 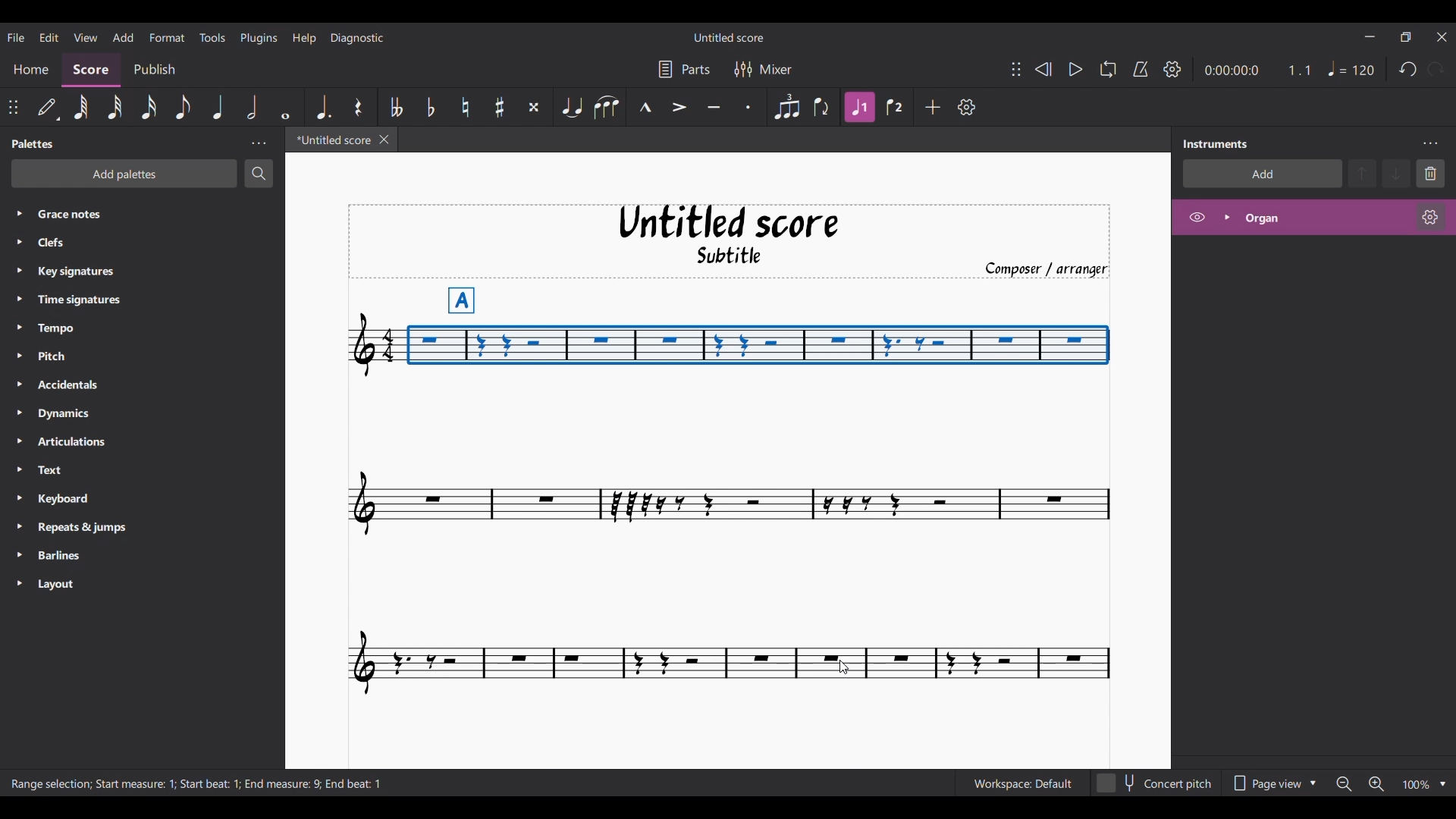 What do you see at coordinates (84, 36) in the screenshot?
I see `View menu` at bounding box center [84, 36].